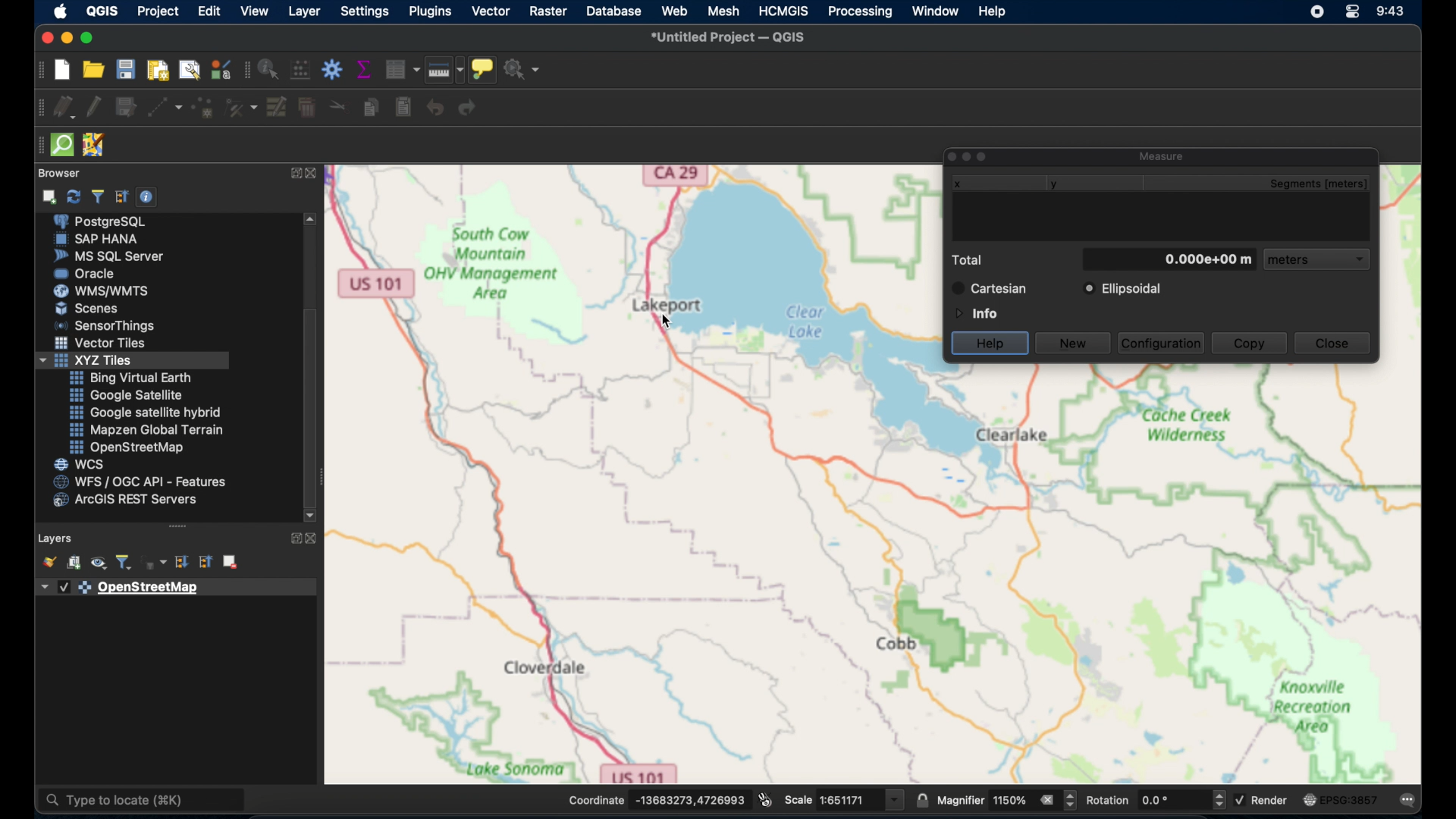 This screenshot has height=819, width=1456. Describe the element at coordinates (108, 325) in the screenshot. I see `sensor things` at that location.